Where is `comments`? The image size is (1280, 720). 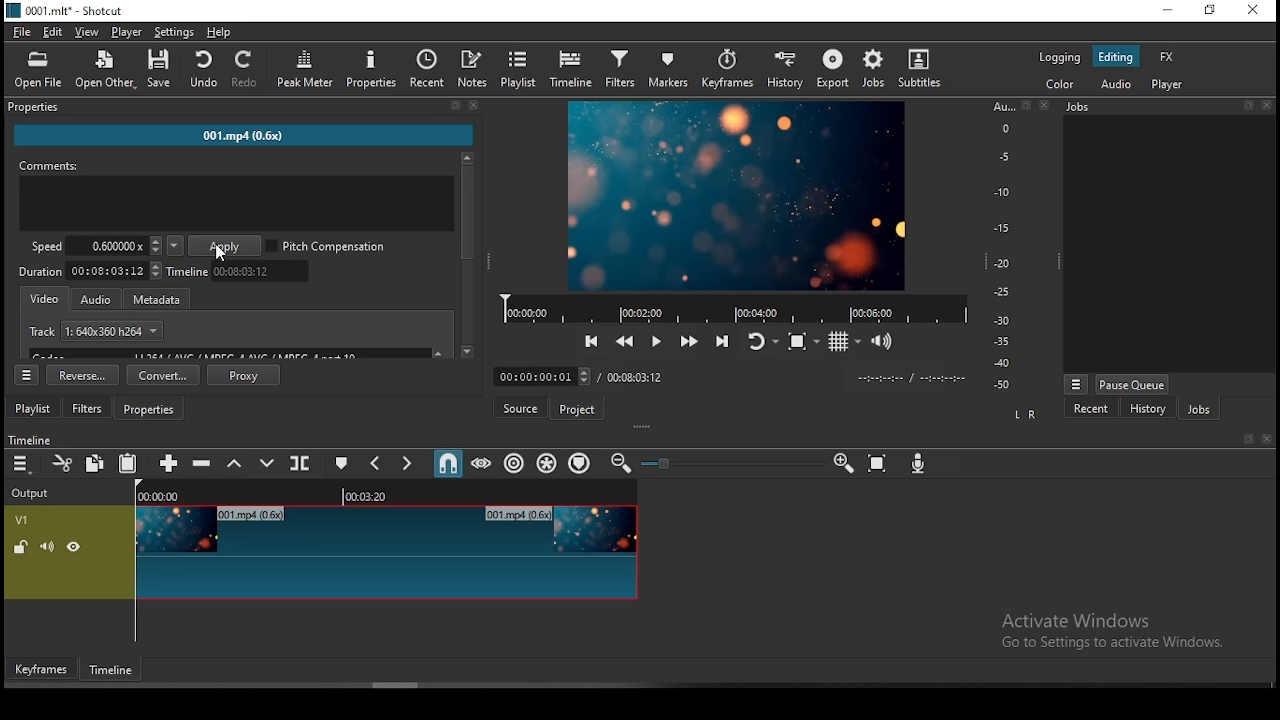 comments is located at coordinates (235, 165).